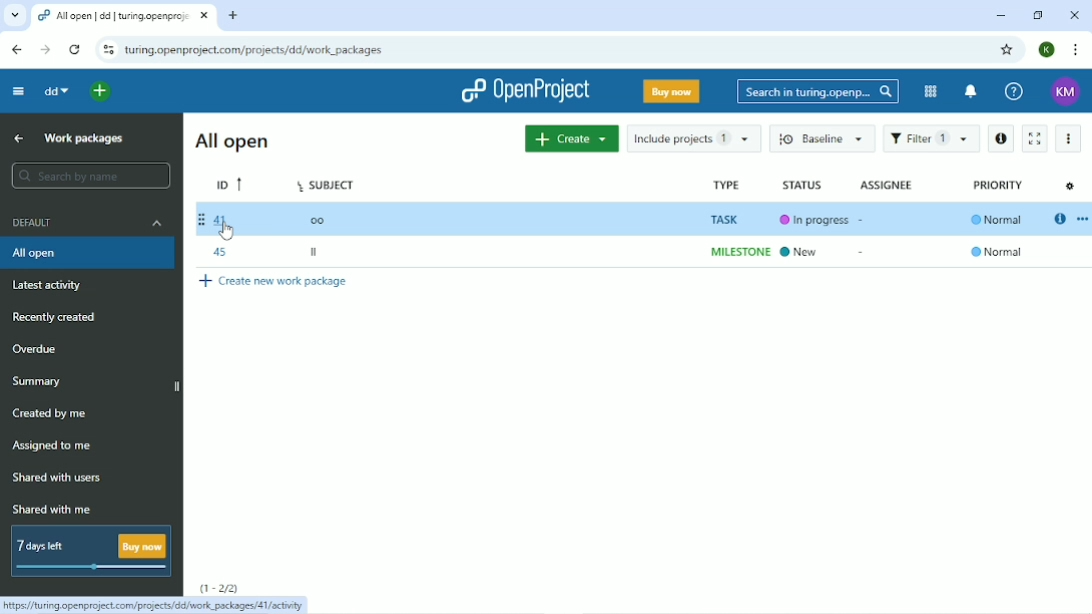  What do you see at coordinates (1065, 92) in the screenshot?
I see `Account` at bounding box center [1065, 92].